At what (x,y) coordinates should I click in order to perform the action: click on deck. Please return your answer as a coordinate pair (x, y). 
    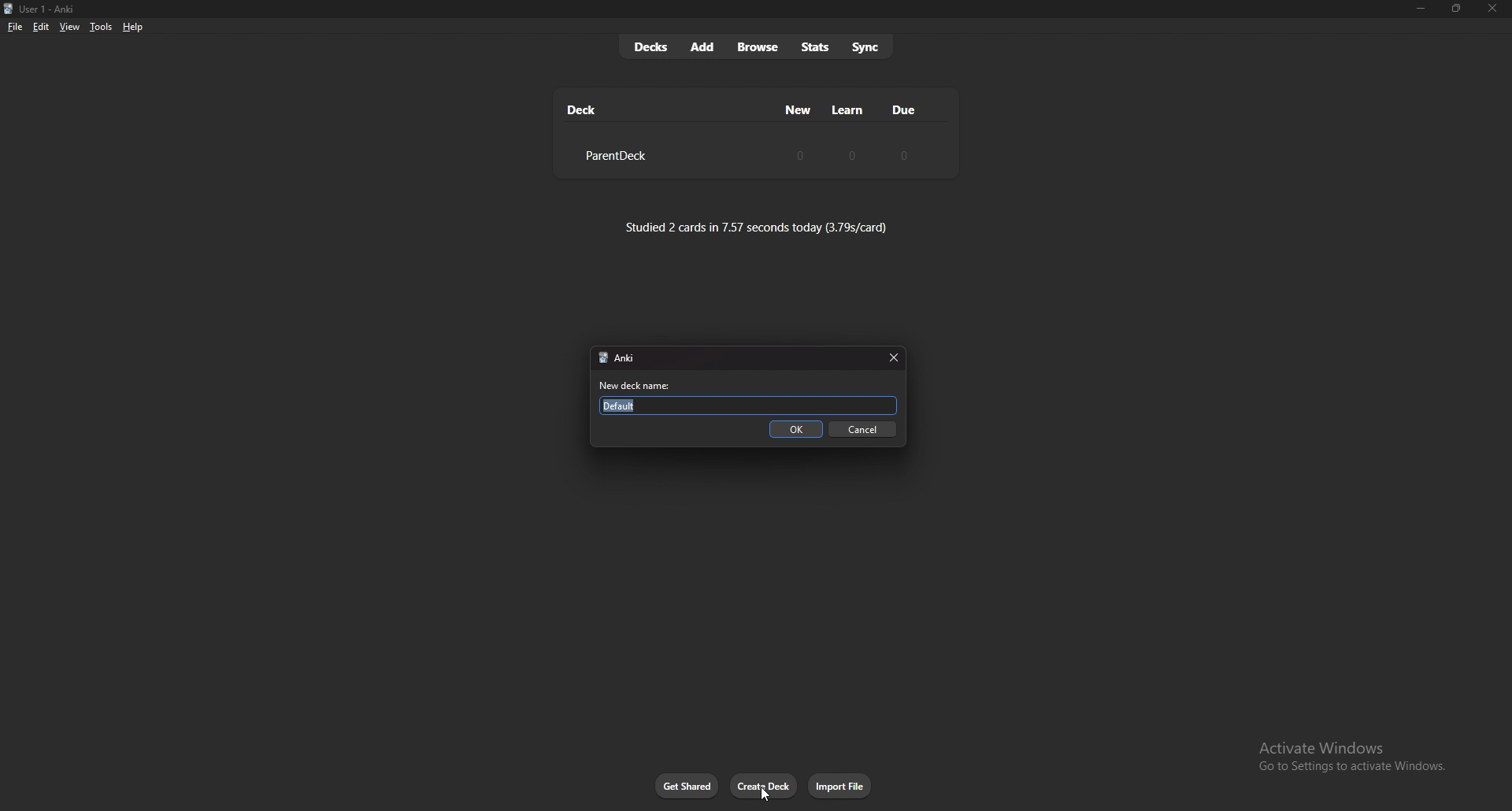
    Looking at the image, I should click on (583, 109).